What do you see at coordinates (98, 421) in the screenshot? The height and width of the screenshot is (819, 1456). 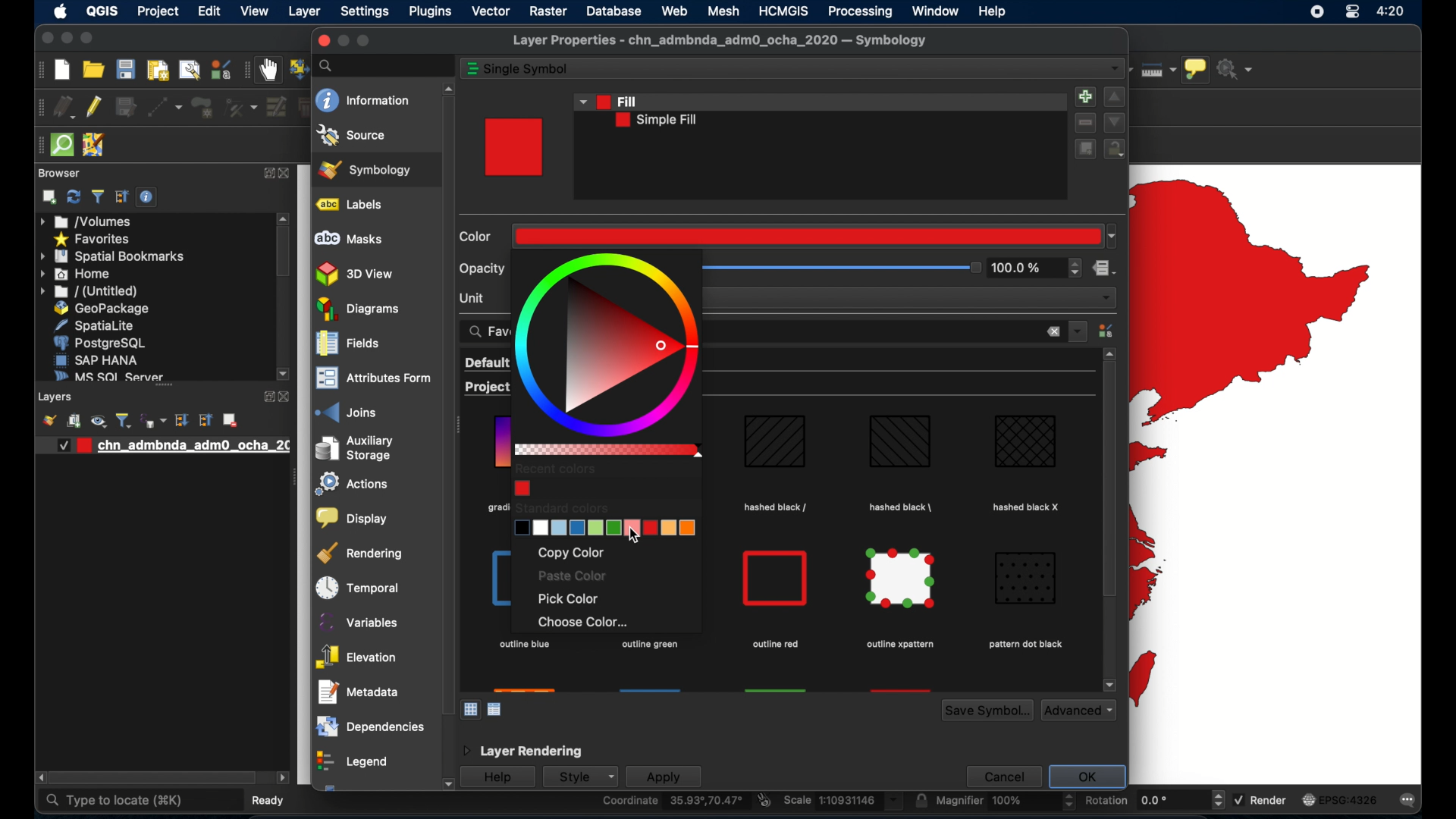 I see `manage map theme` at bounding box center [98, 421].